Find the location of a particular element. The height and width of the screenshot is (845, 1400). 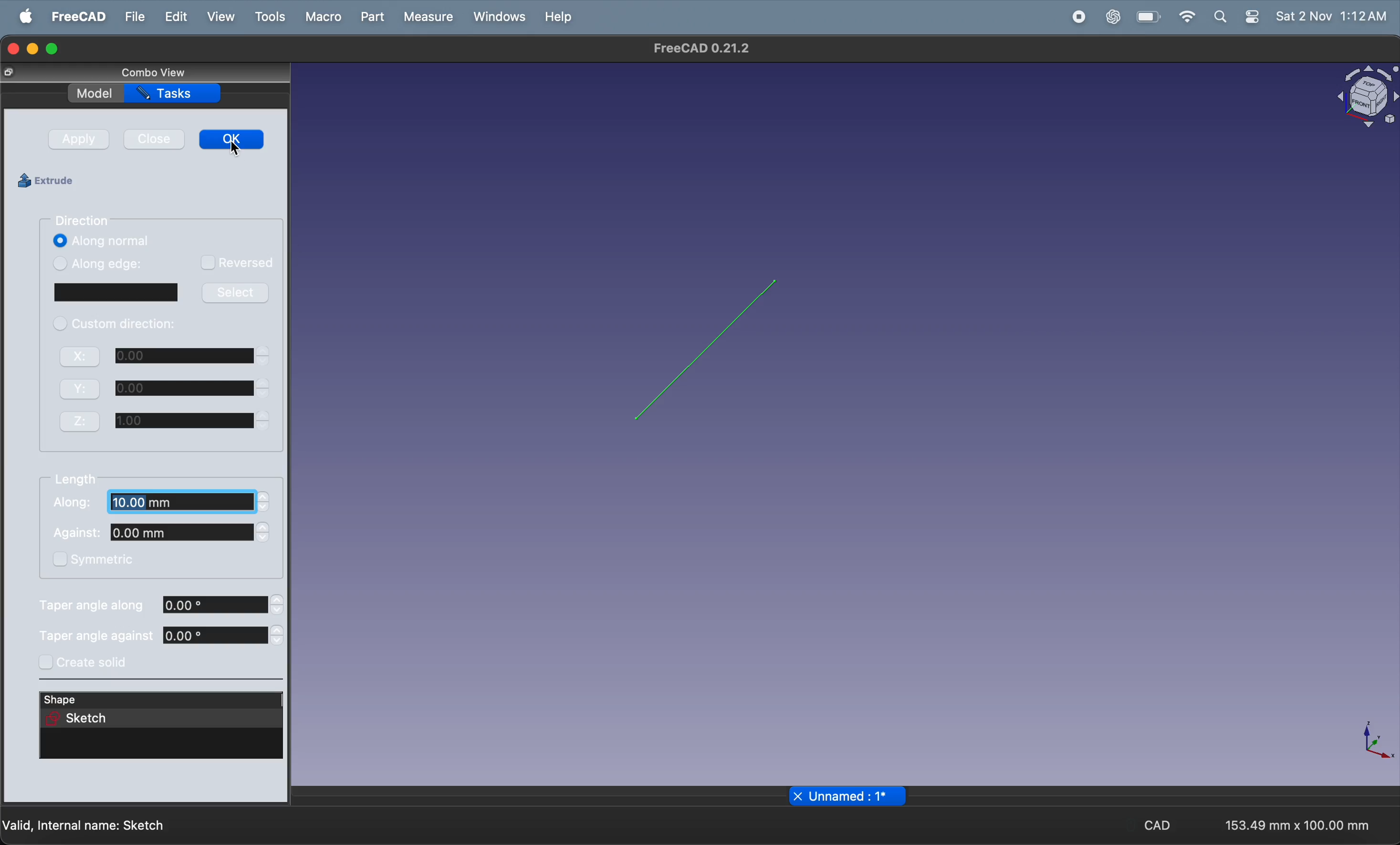

marco is located at coordinates (323, 18).